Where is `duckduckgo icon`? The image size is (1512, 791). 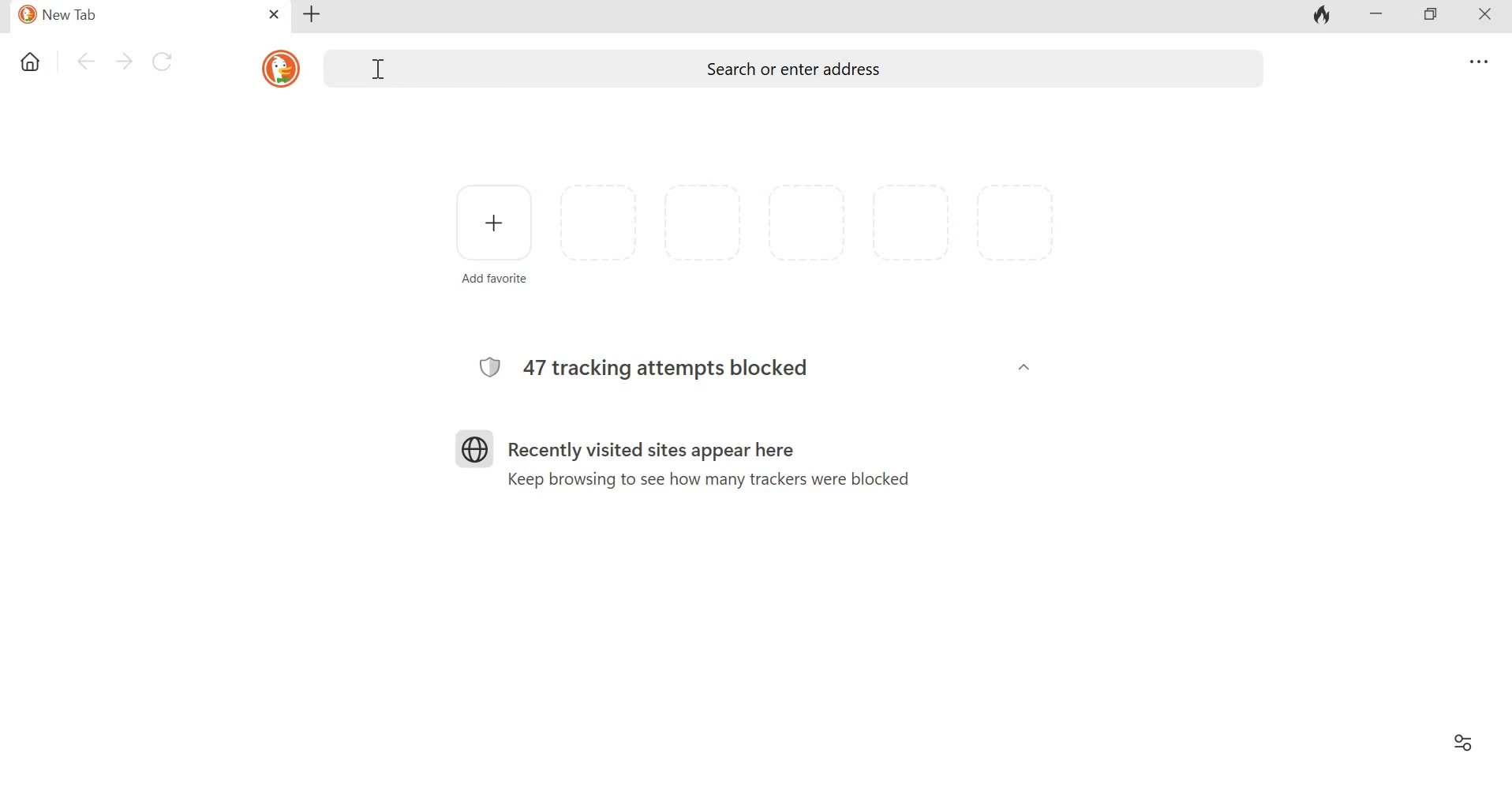 duckduckgo icon is located at coordinates (277, 67).